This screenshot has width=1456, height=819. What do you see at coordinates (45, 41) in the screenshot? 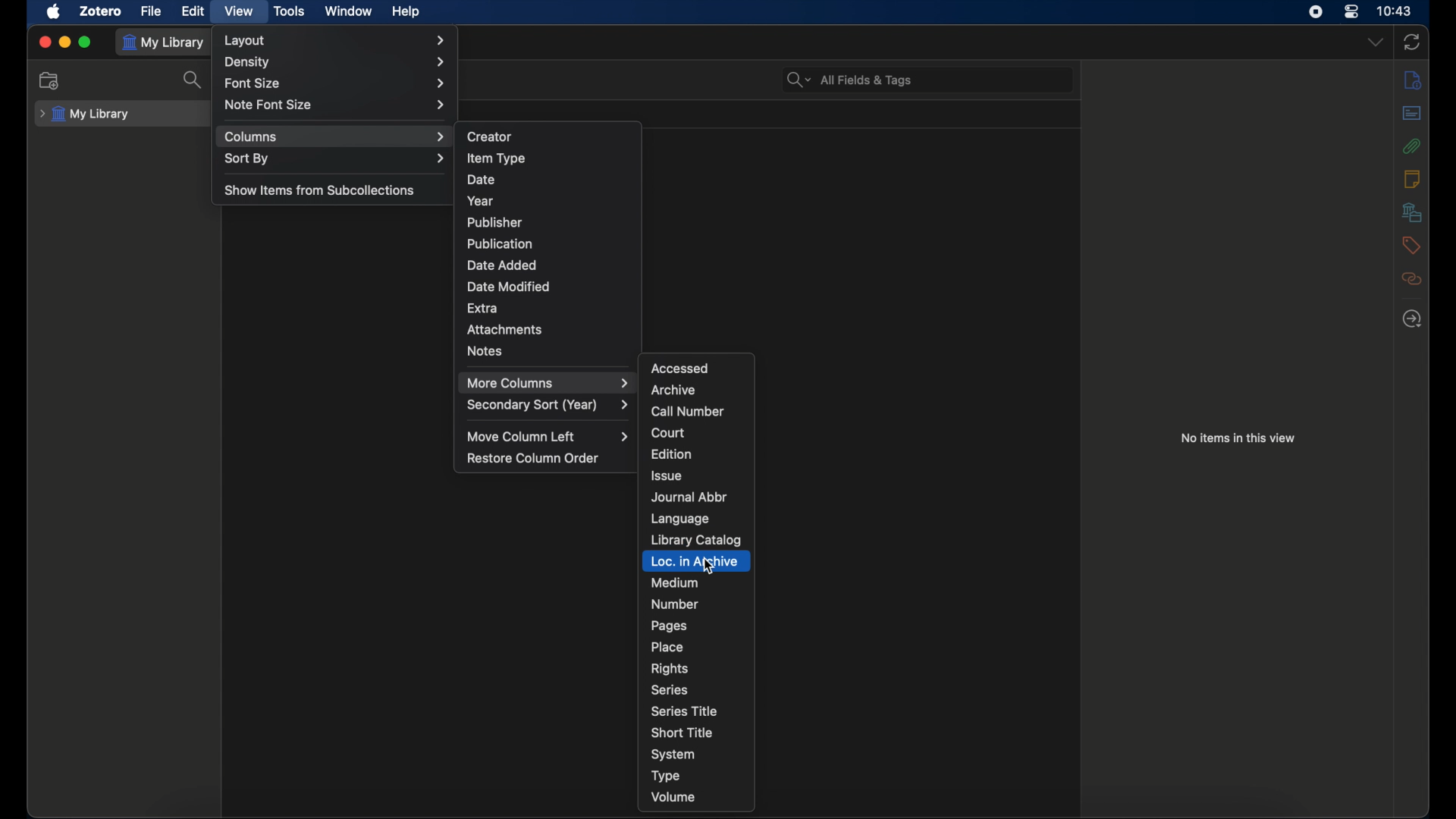
I see `close` at bounding box center [45, 41].